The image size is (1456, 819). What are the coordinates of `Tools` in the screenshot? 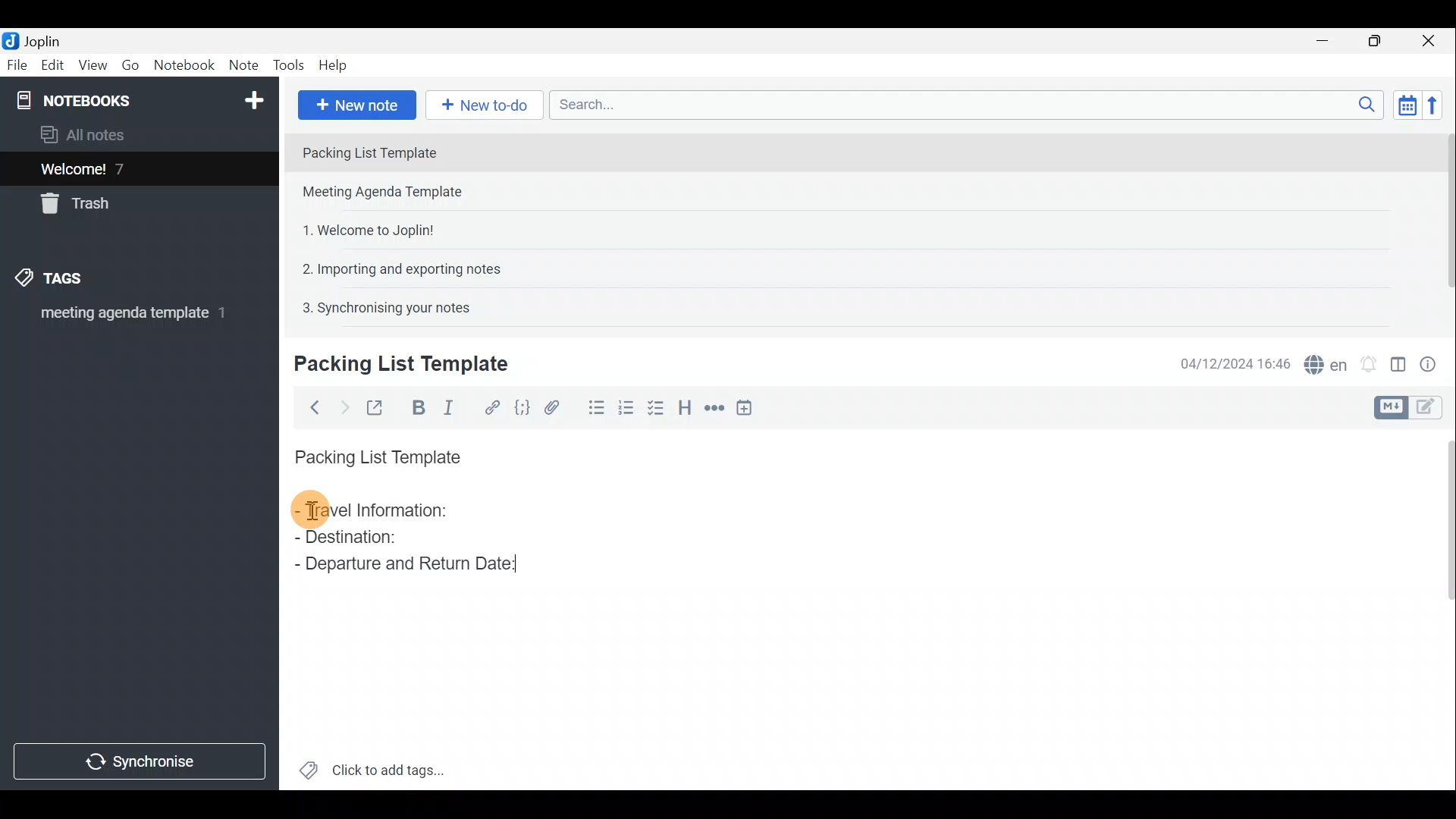 It's located at (290, 66).